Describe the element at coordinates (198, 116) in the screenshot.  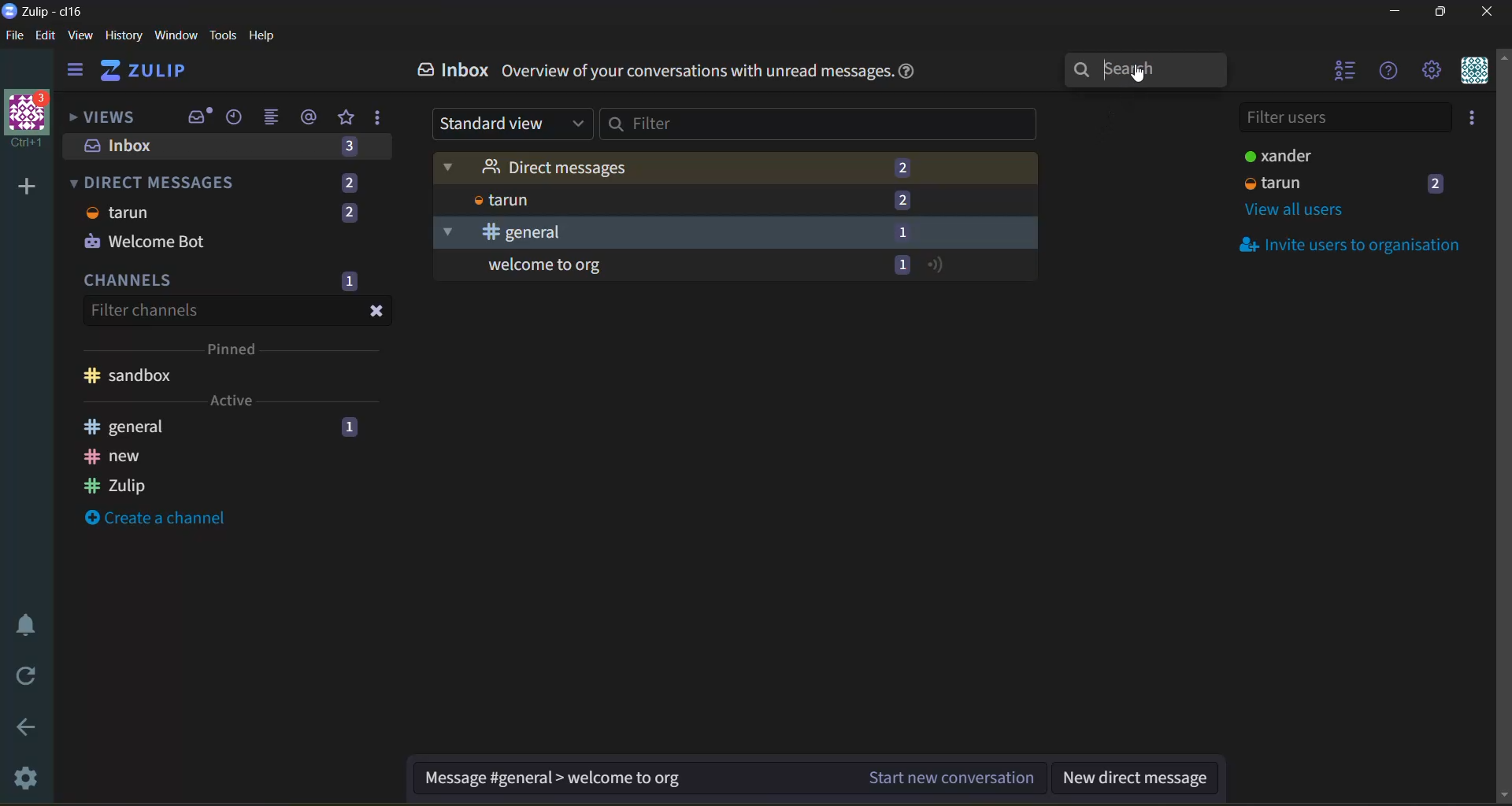
I see `inbox` at that location.